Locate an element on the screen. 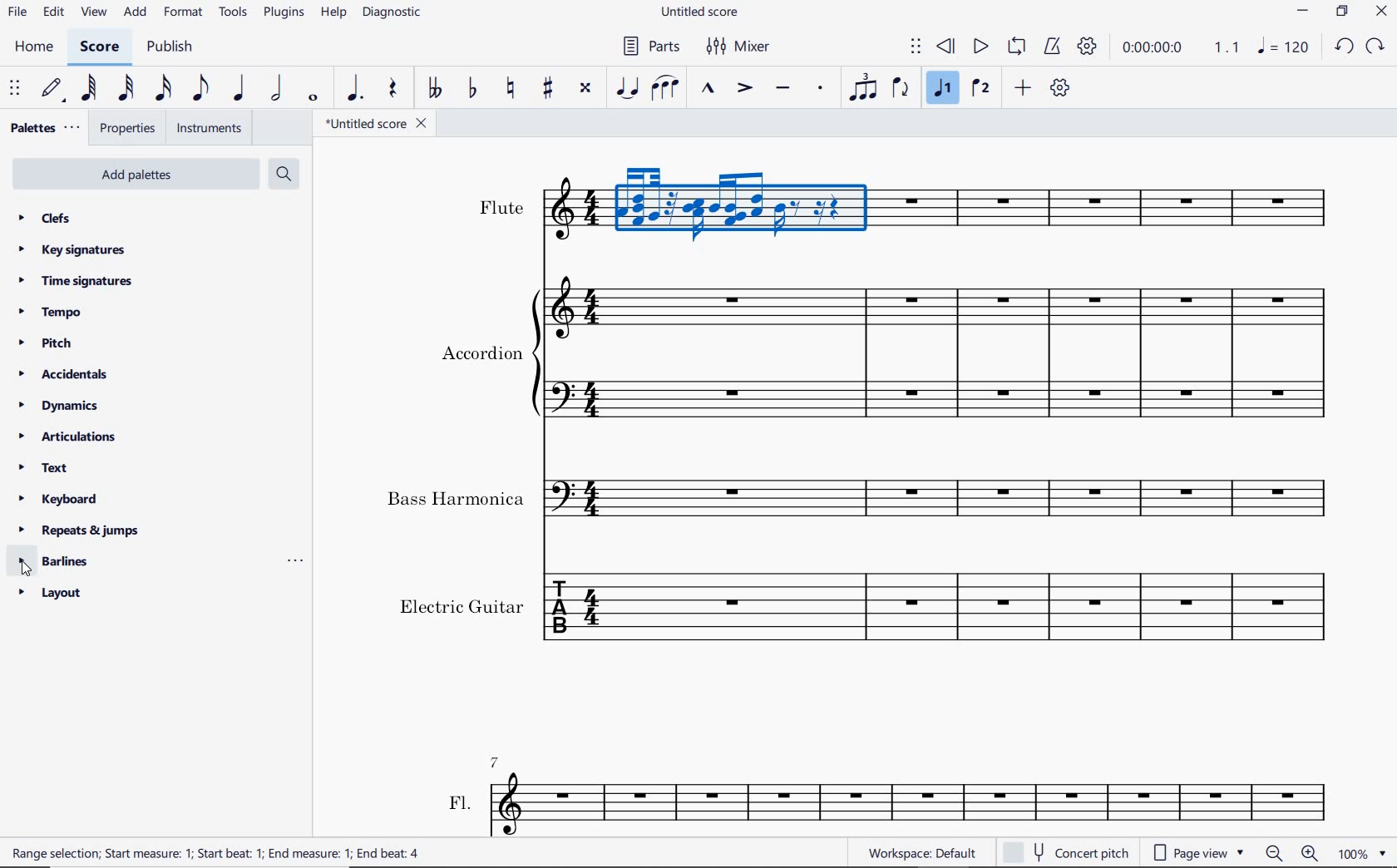 This screenshot has height=868, width=1397. playback time is located at coordinates (1154, 49).